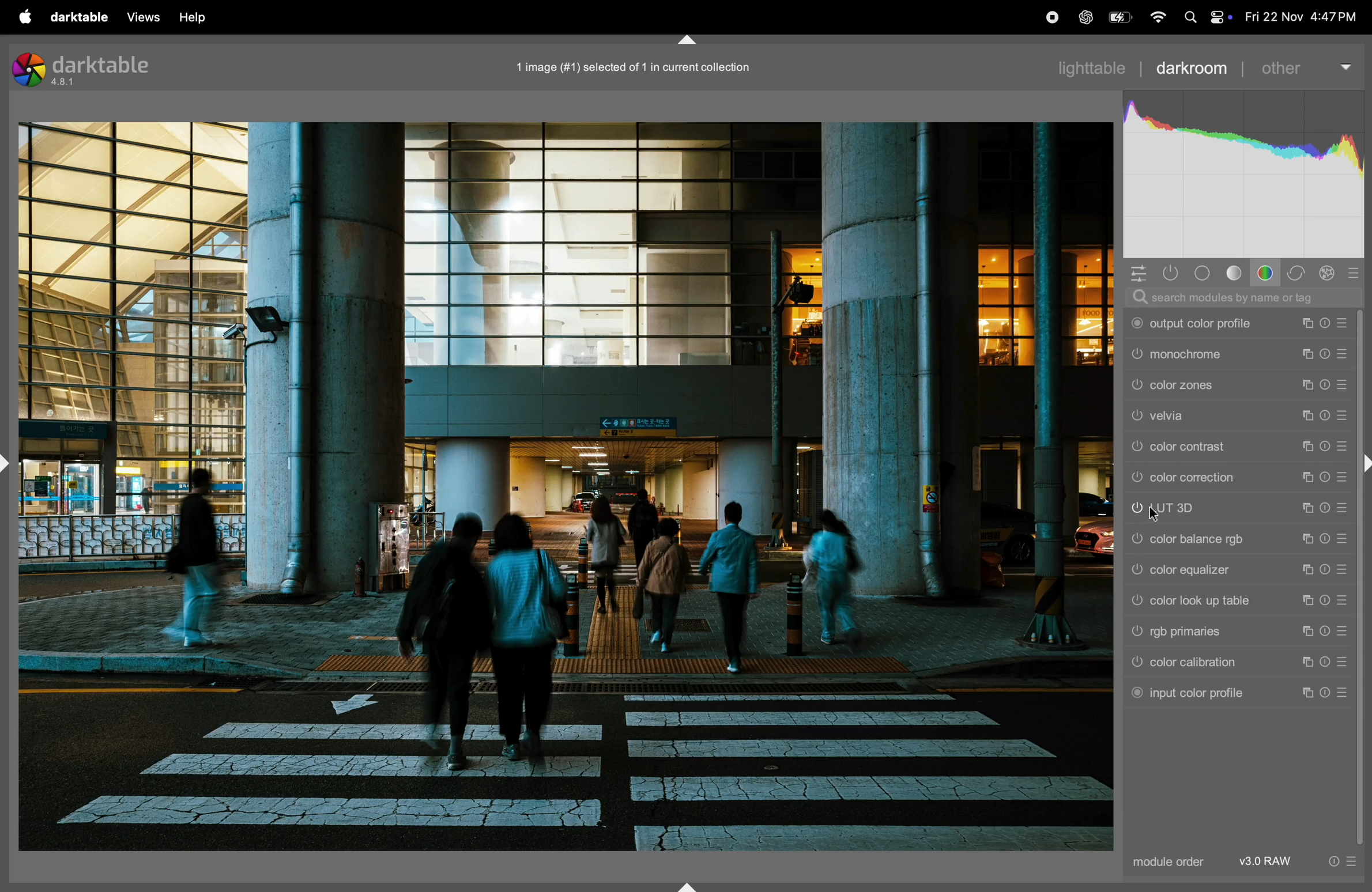 The width and height of the screenshot is (1372, 892). I want to click on multiple instance actions, so click(1306, 630).